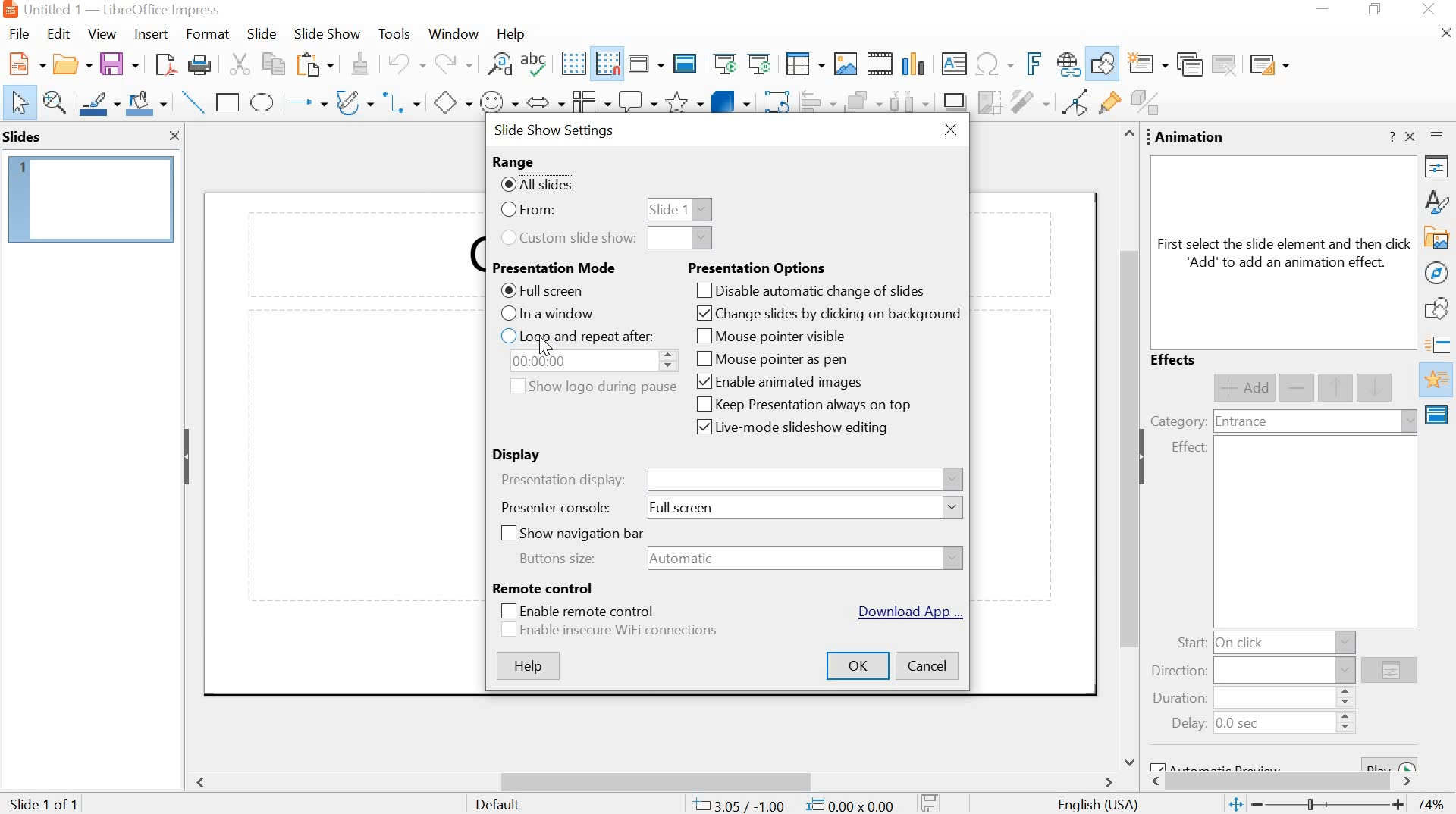  I want to click on export as pdf, so click(163, 66).